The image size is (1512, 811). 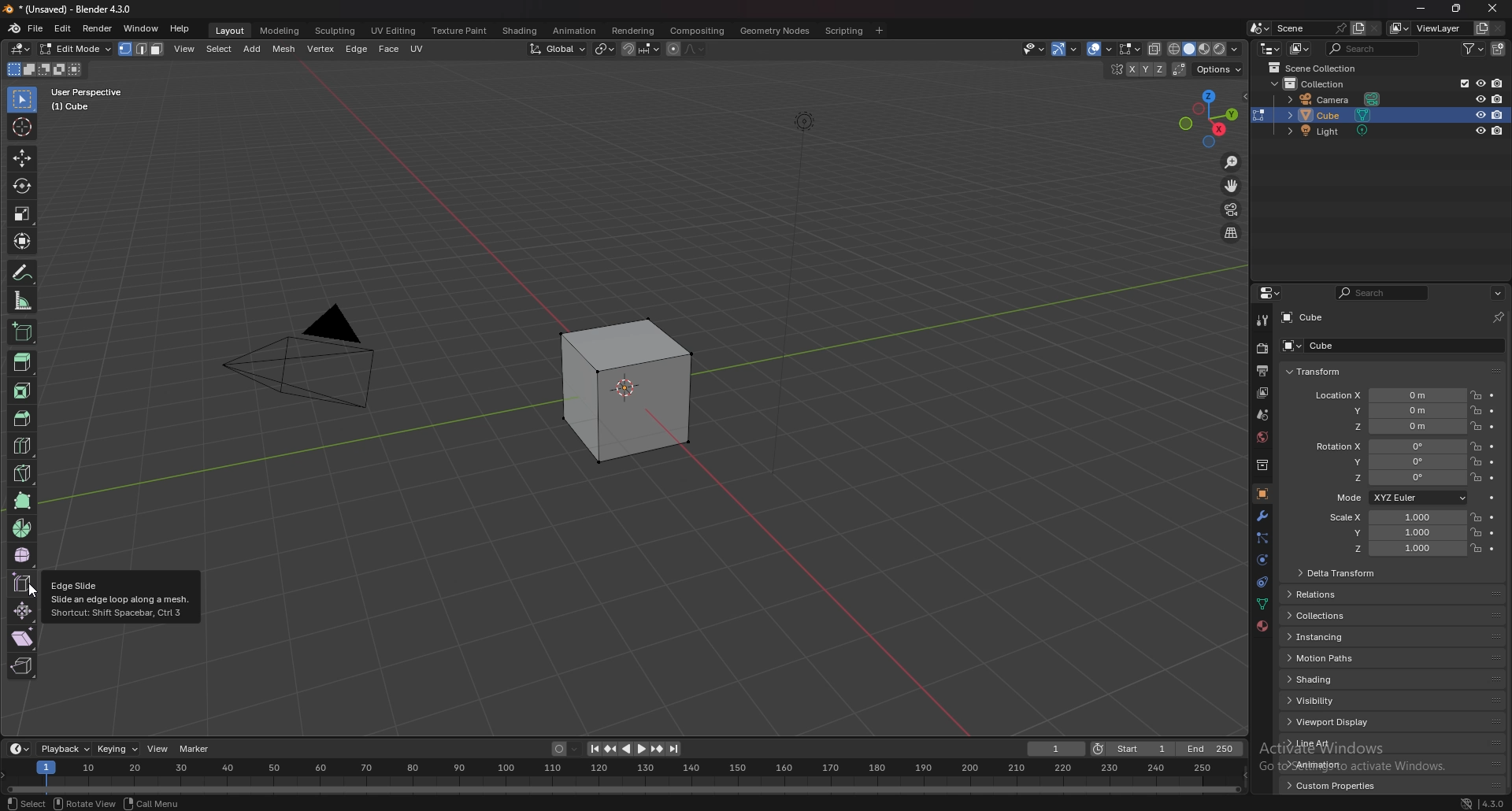 I want to click on transform, so click(x=23, y=240).